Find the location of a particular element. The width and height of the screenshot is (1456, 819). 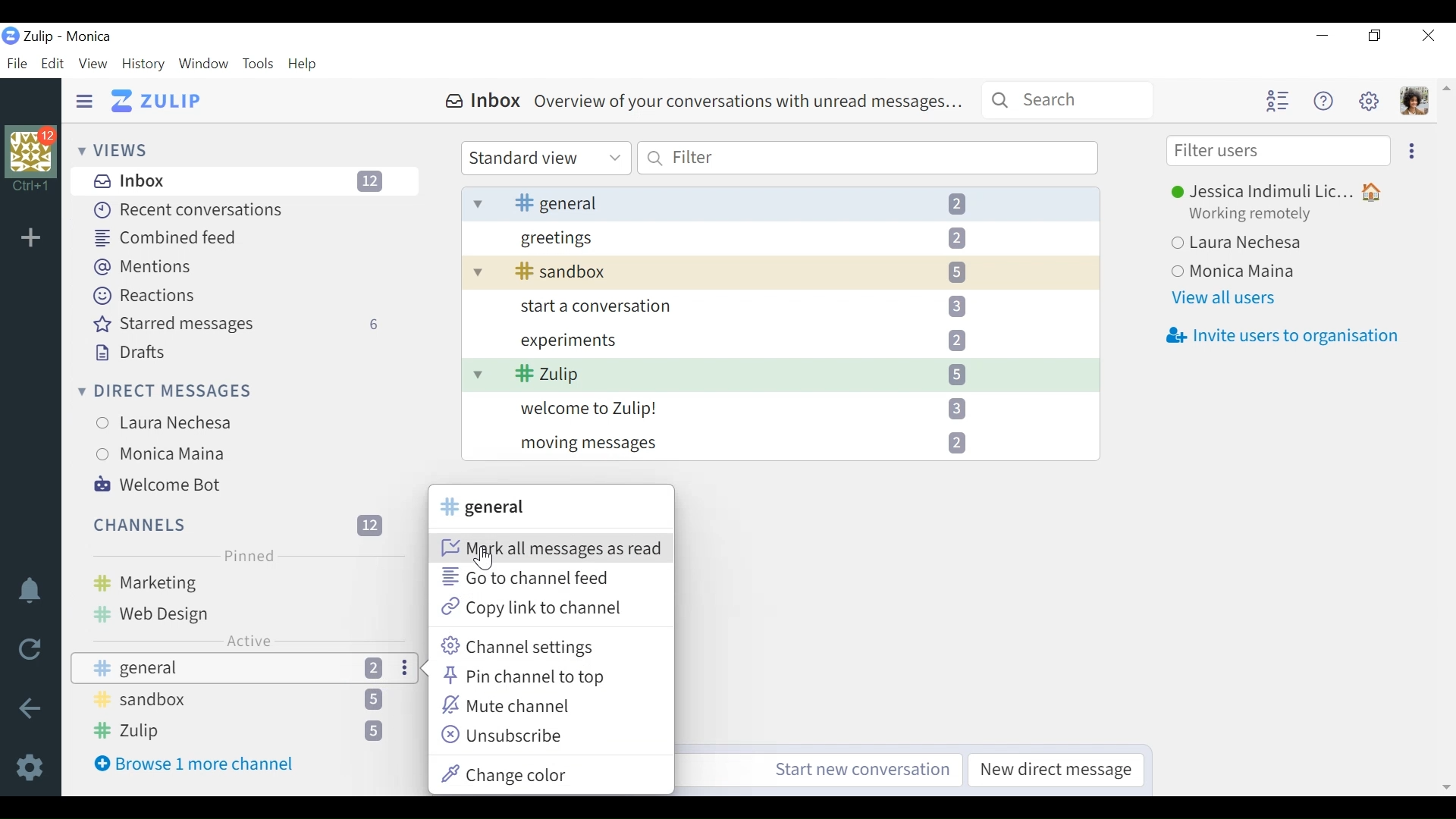

General 2 is located at coordinates (781, 202).